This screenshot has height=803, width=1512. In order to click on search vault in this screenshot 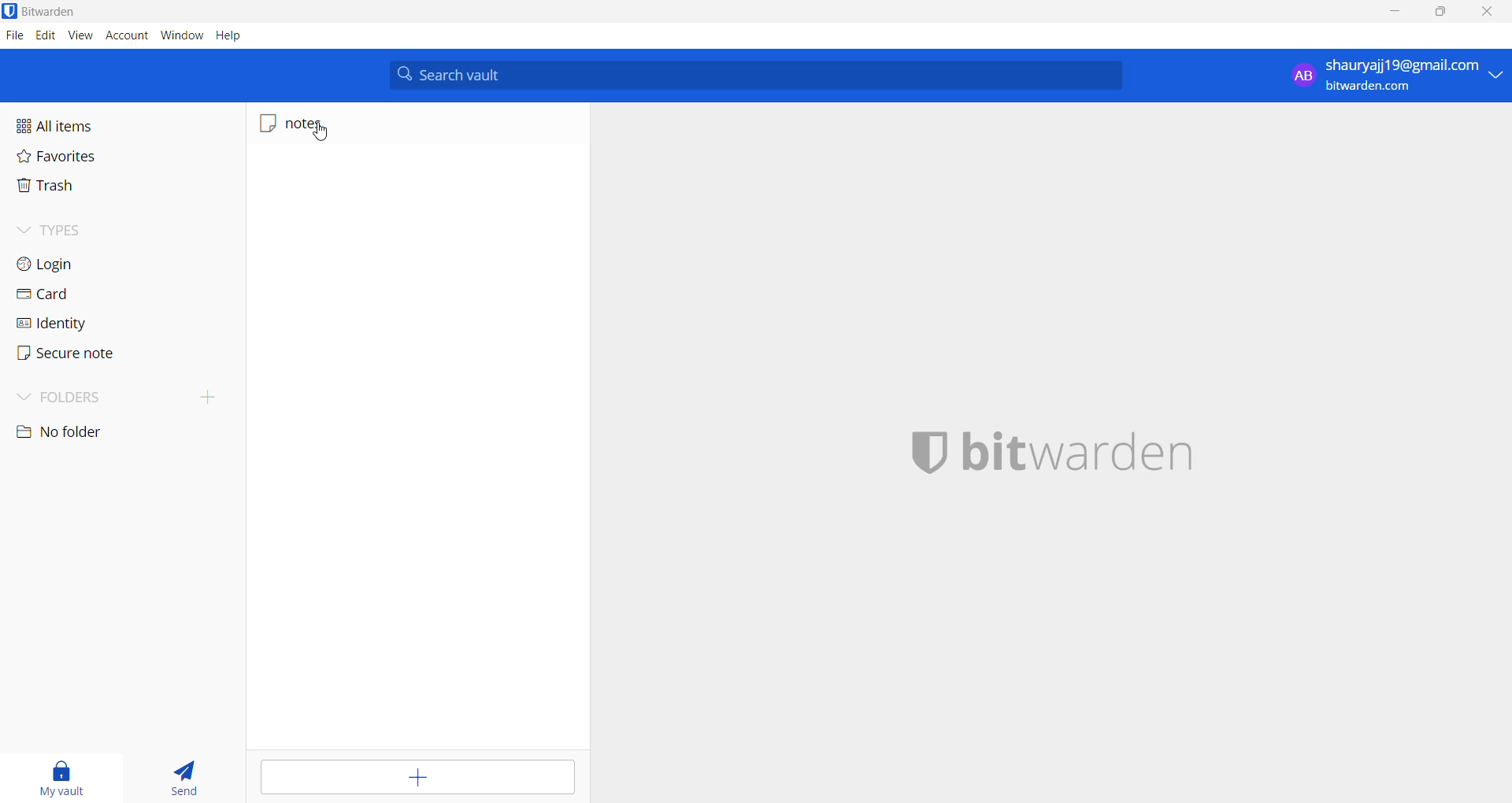, I will do `click(758, 75)`.